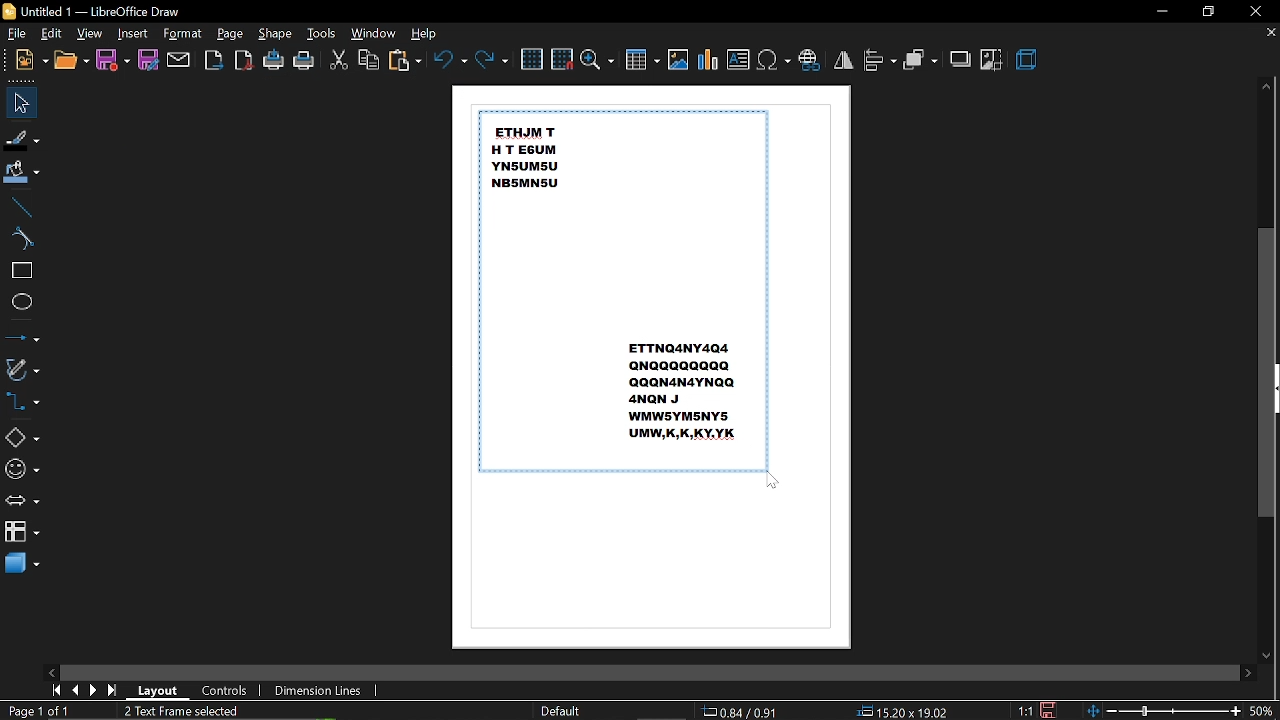  I want to click on insert table, so click(643, 62).